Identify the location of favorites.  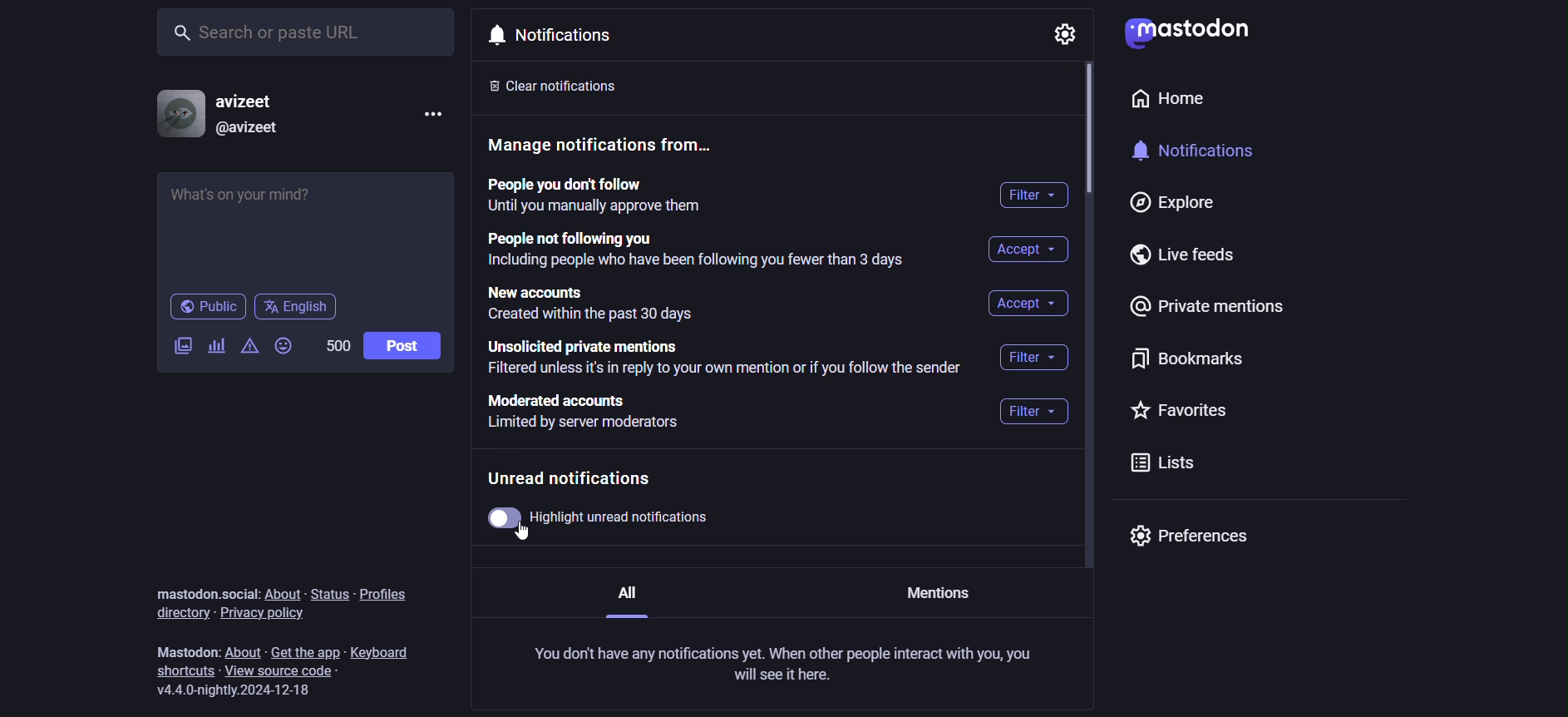
(1181, 414).